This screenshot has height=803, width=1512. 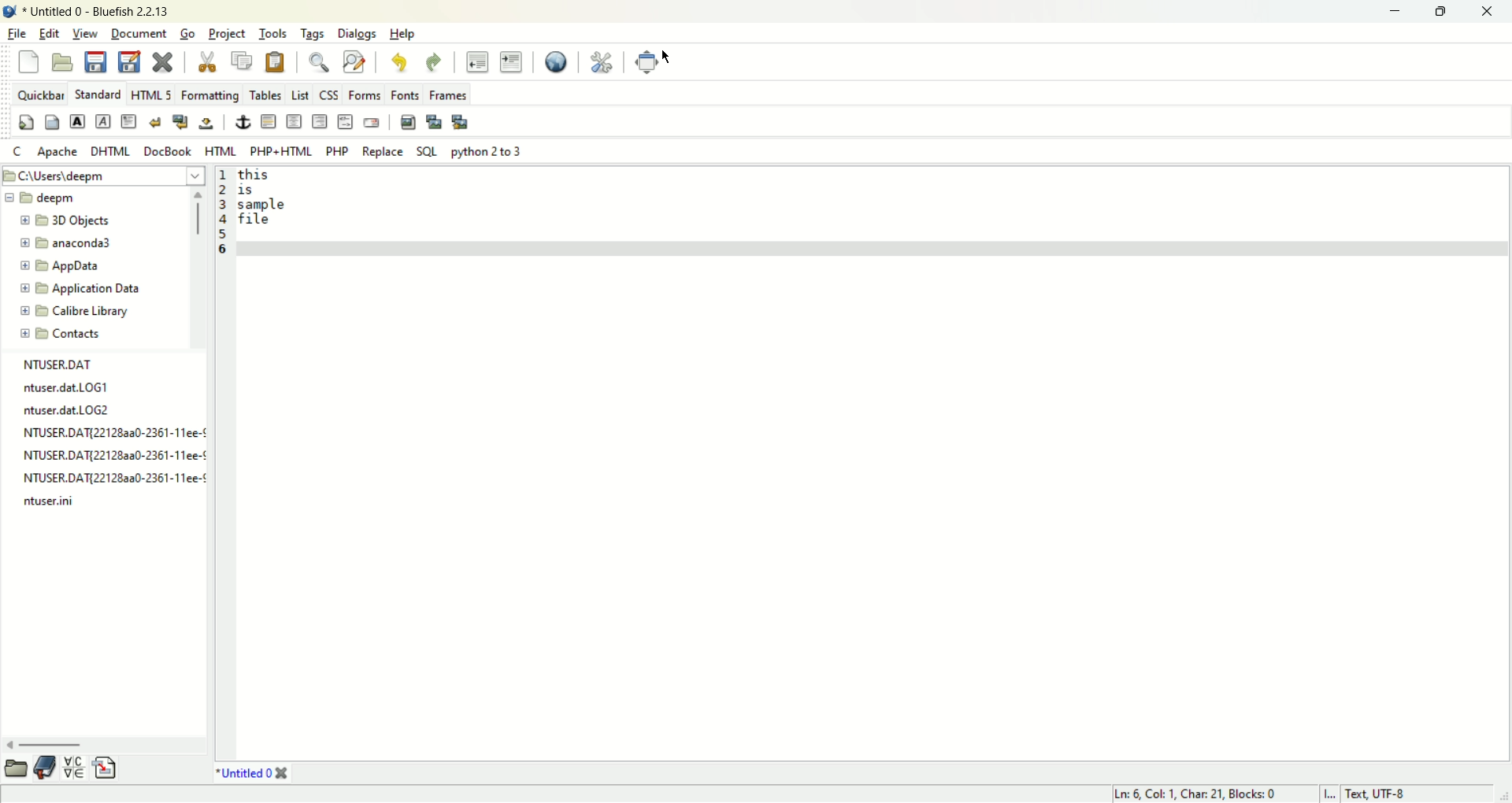 What do you see at coordinates (211, 94) in the screenshot?
I see `formatting` at bounding box center [211, 94].